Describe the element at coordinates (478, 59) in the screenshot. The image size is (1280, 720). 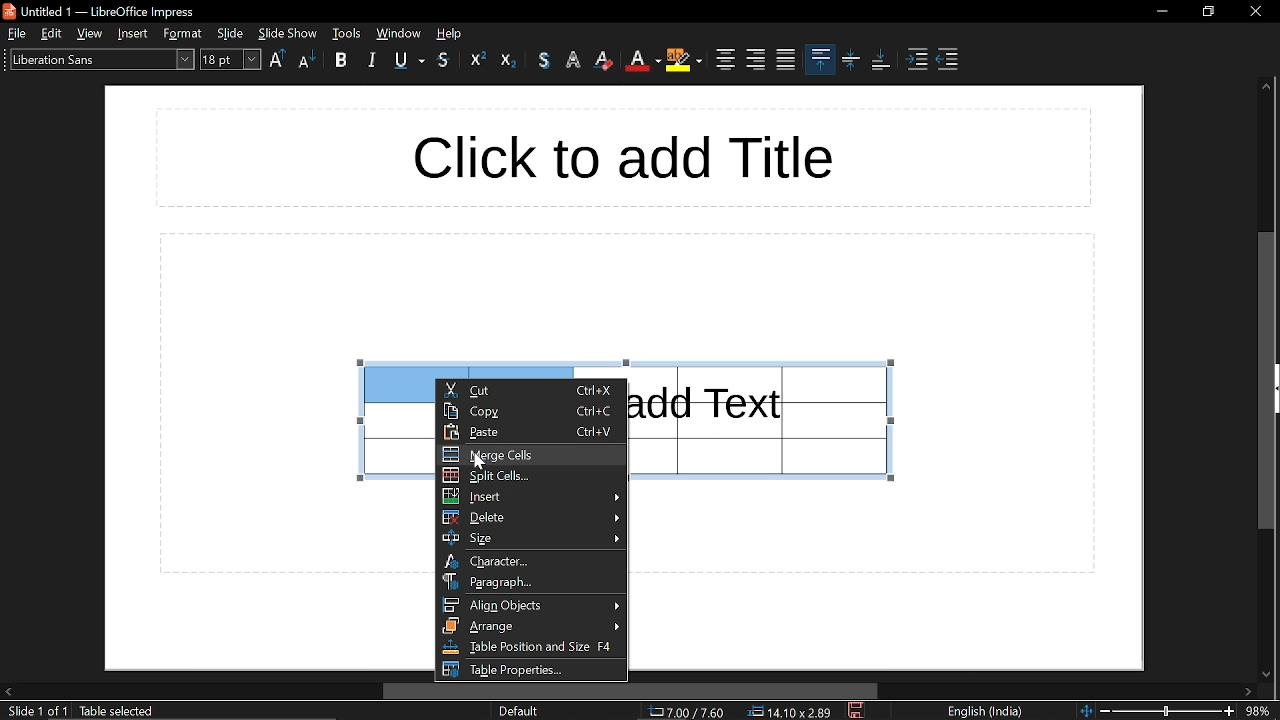
I see `superscript` at that location.